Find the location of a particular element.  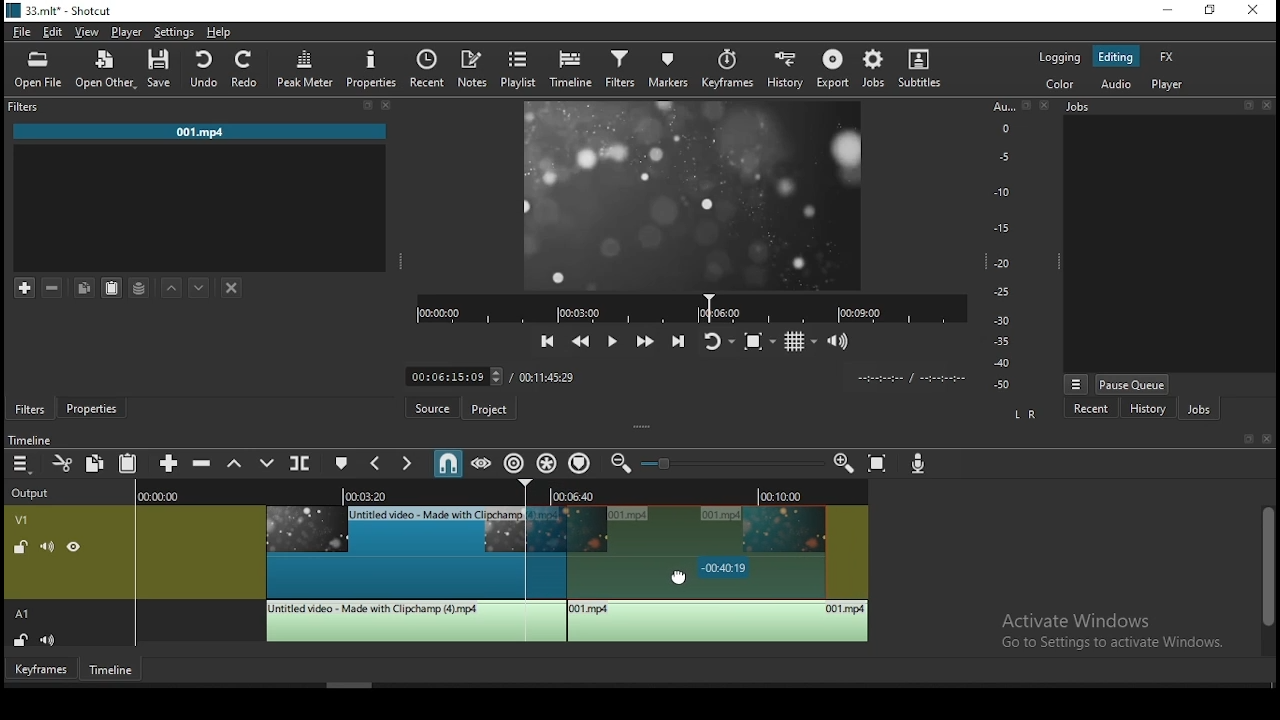

jobs is located at coordinates (878, 68).